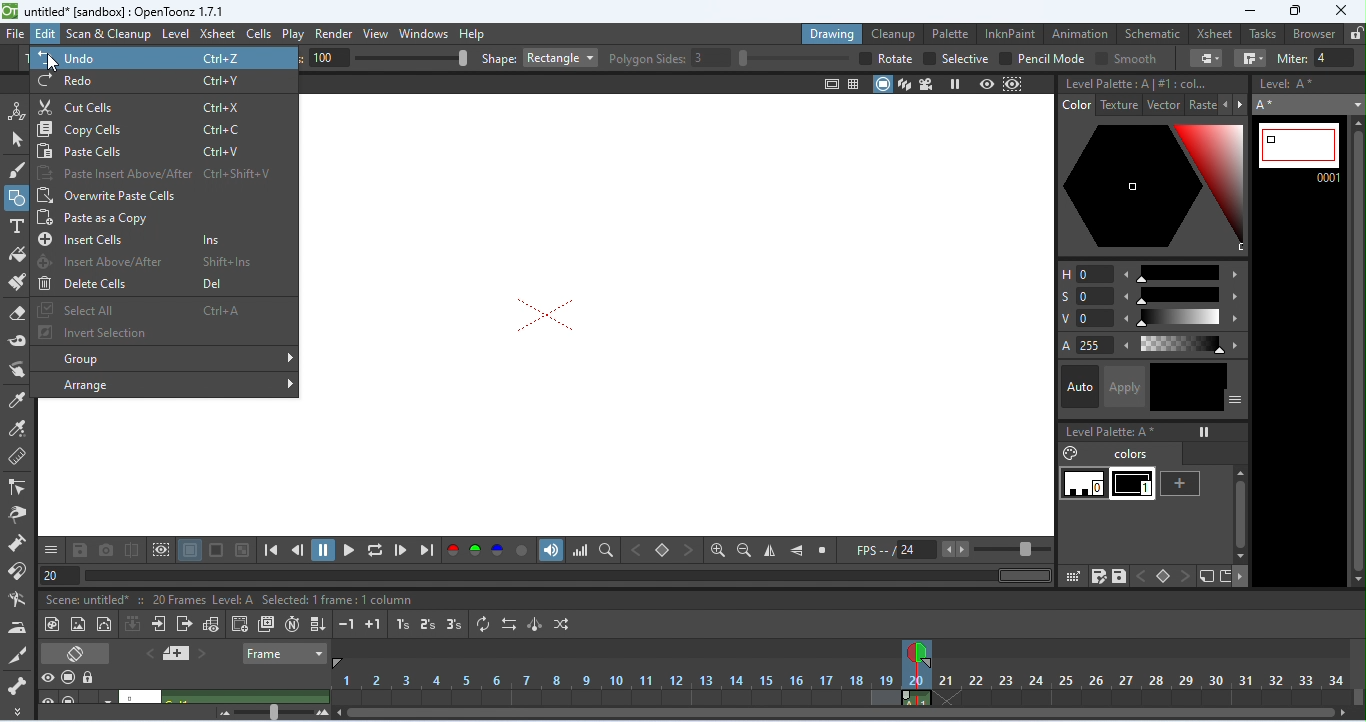 The height and width of the screenshot is (722, 1366). I want to click on color, so click(1076, 106).